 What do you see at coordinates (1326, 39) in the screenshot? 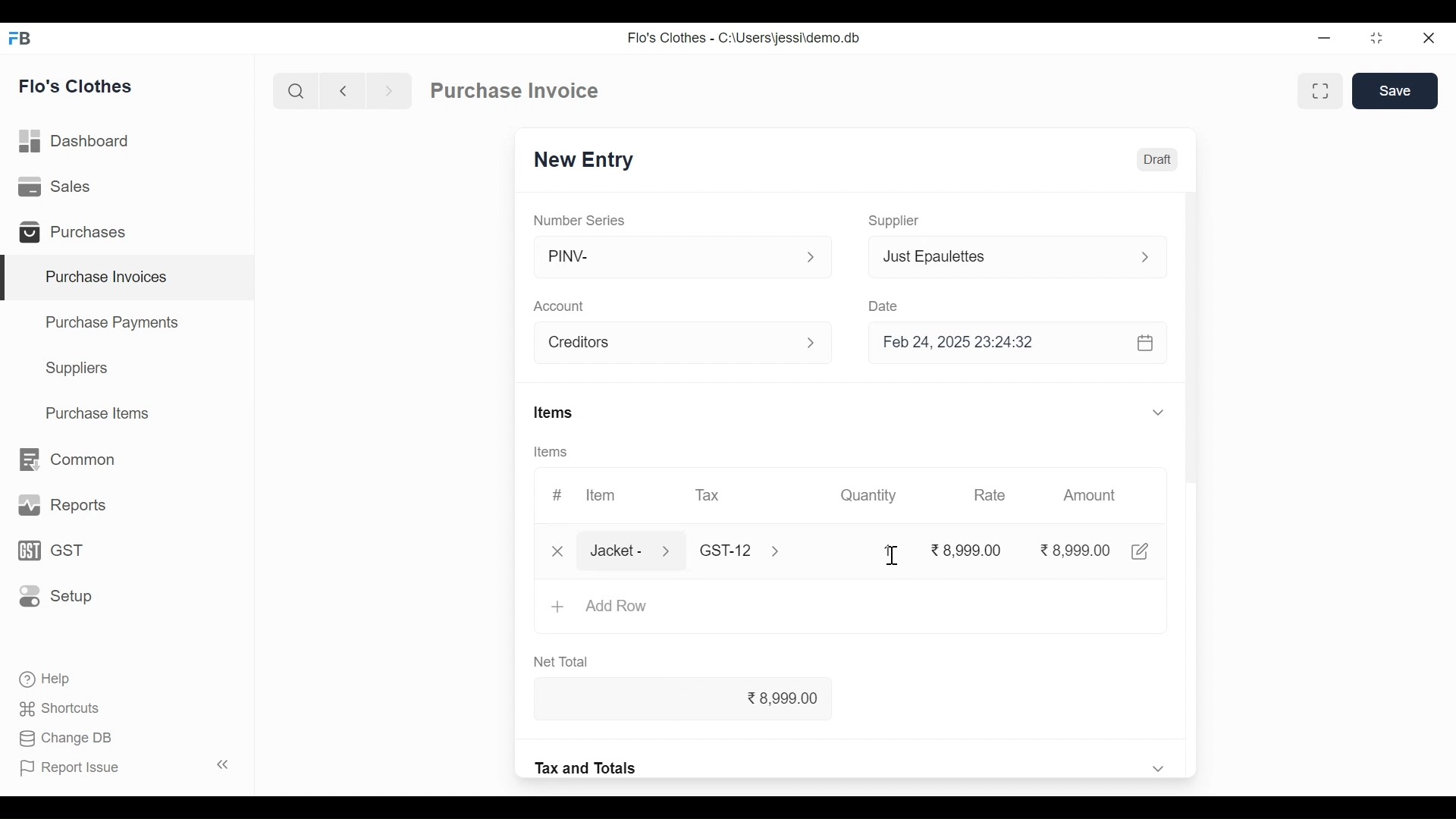
I see `minimize` at bounding box center [1326, 39].